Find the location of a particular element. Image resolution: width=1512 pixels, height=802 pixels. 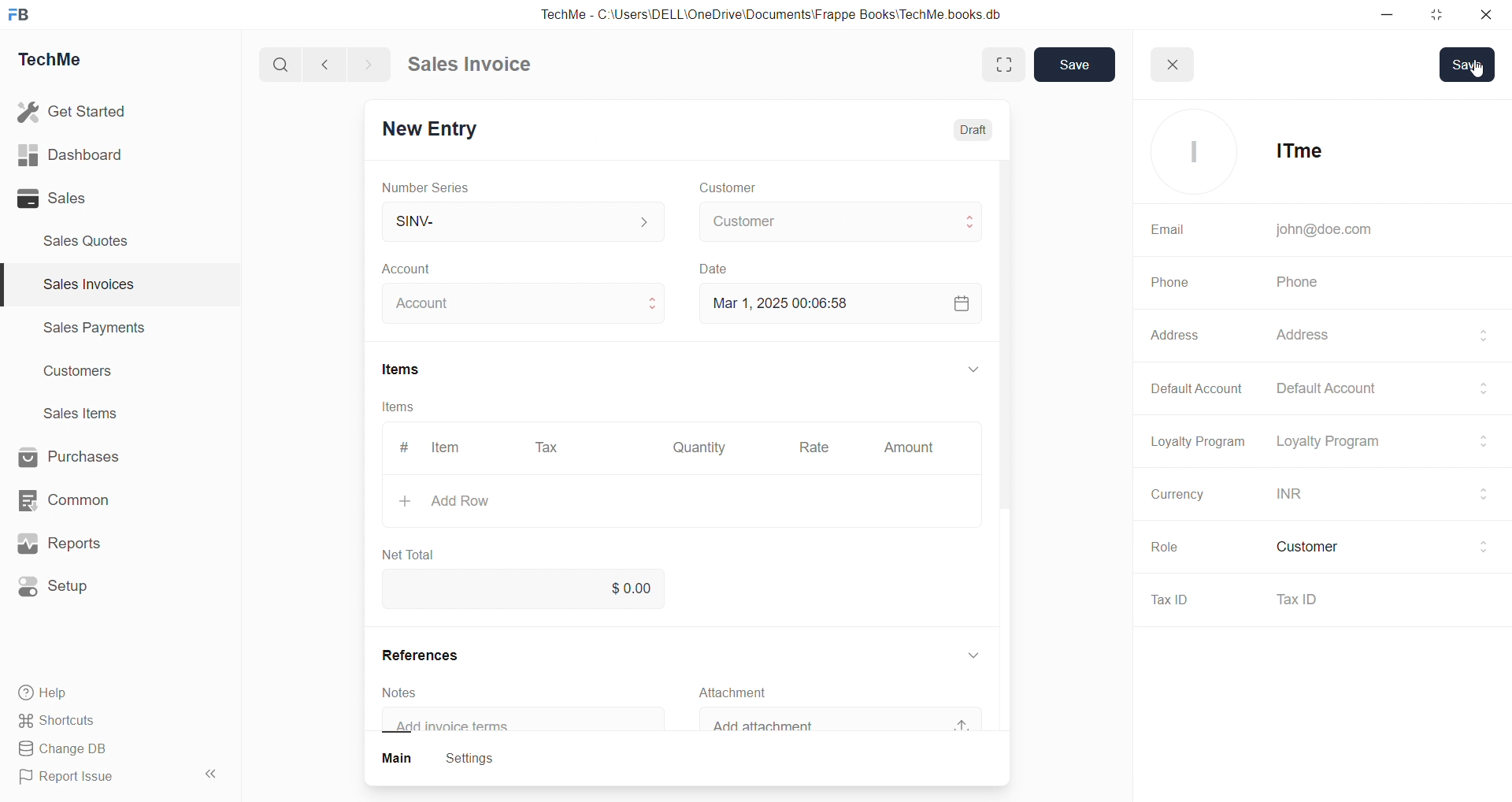

@ Setup is located at coordinates (62, 592).